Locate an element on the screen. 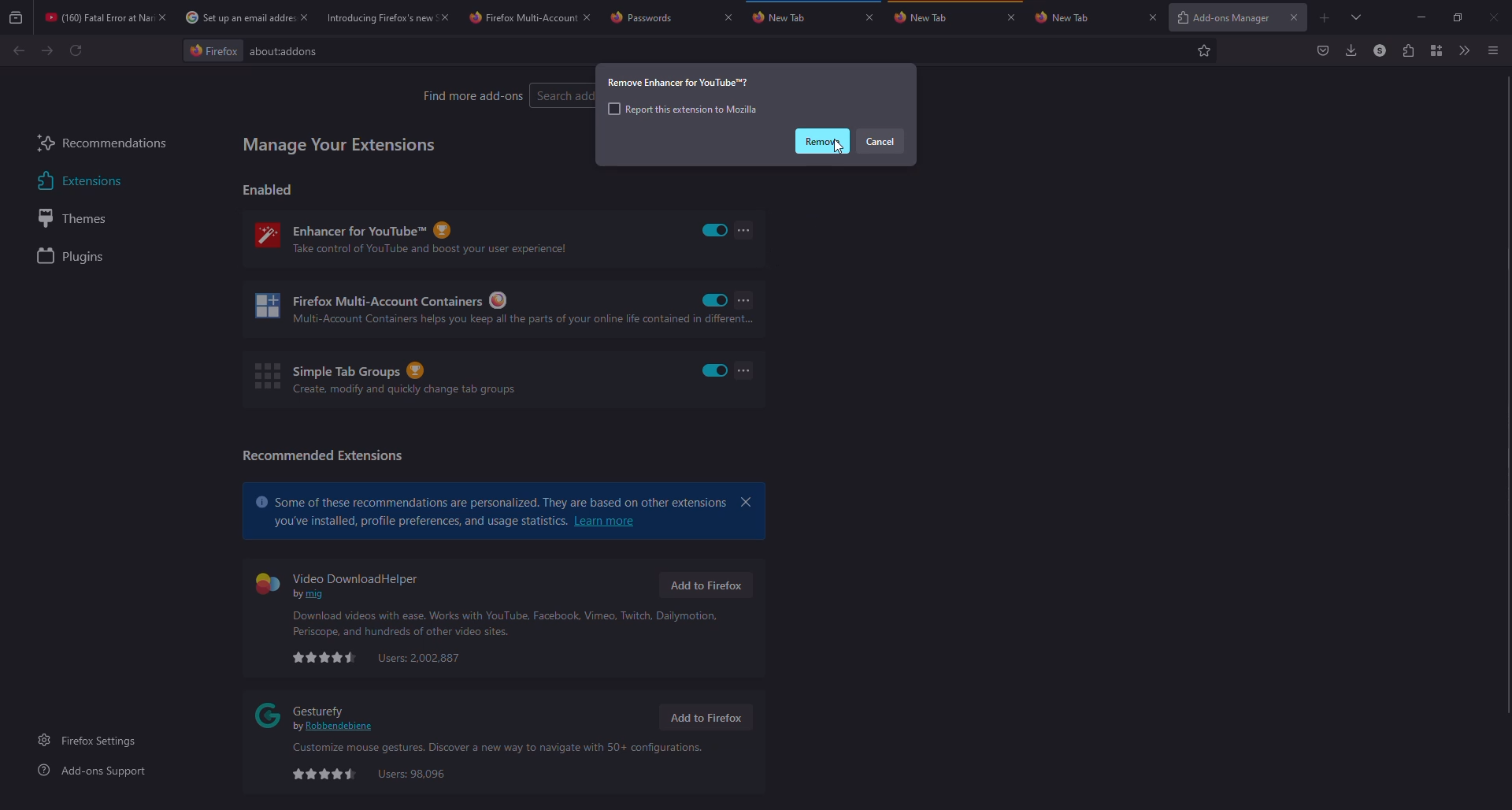 This screenshot has height=810, width=1512. tabs is located at coordinates (1358, 17).